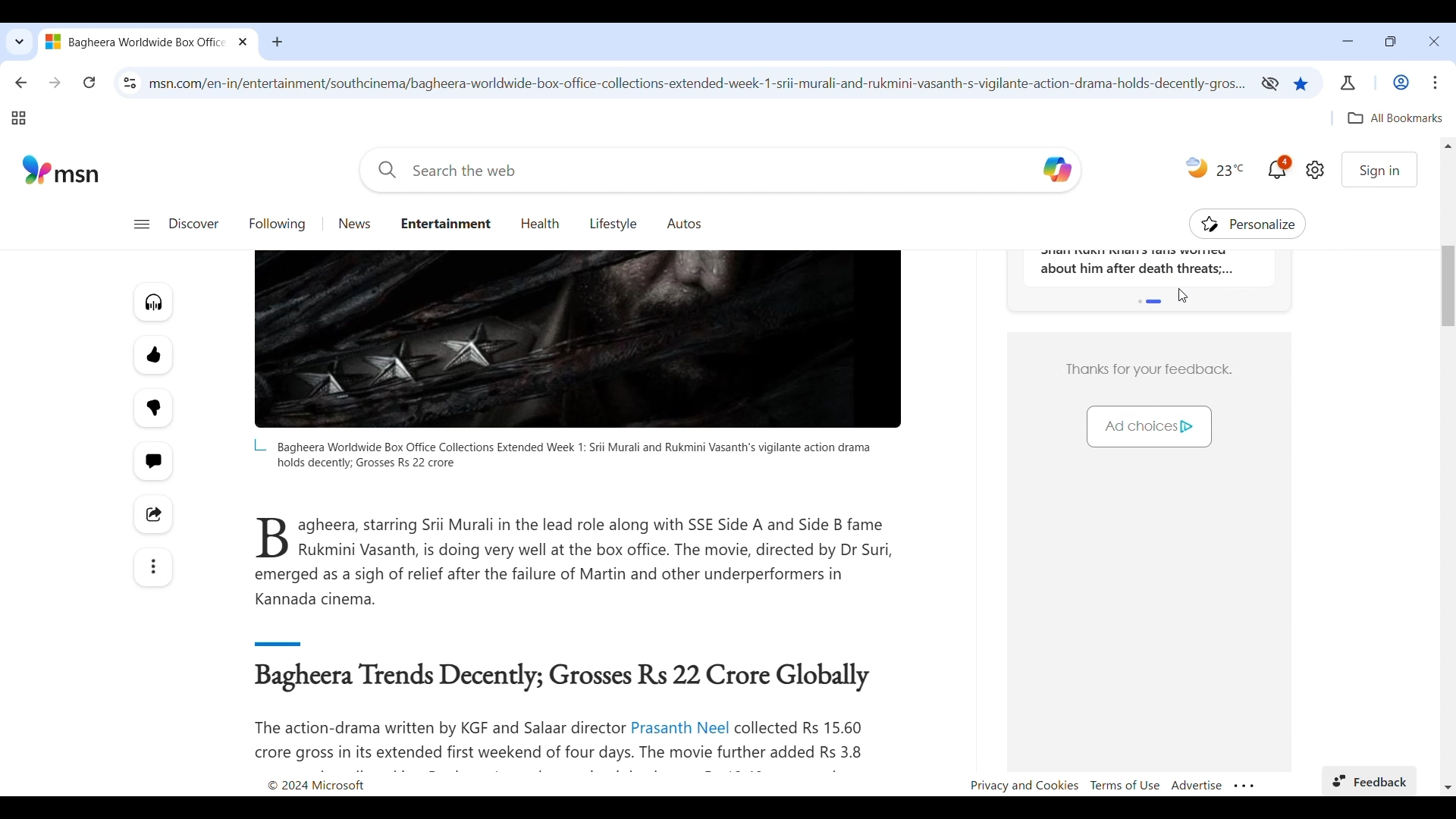  What do you see at coordinates (1445, 294) in the screenshot?
I see `vertical scroll bar` at bounding box center [1445, 294].